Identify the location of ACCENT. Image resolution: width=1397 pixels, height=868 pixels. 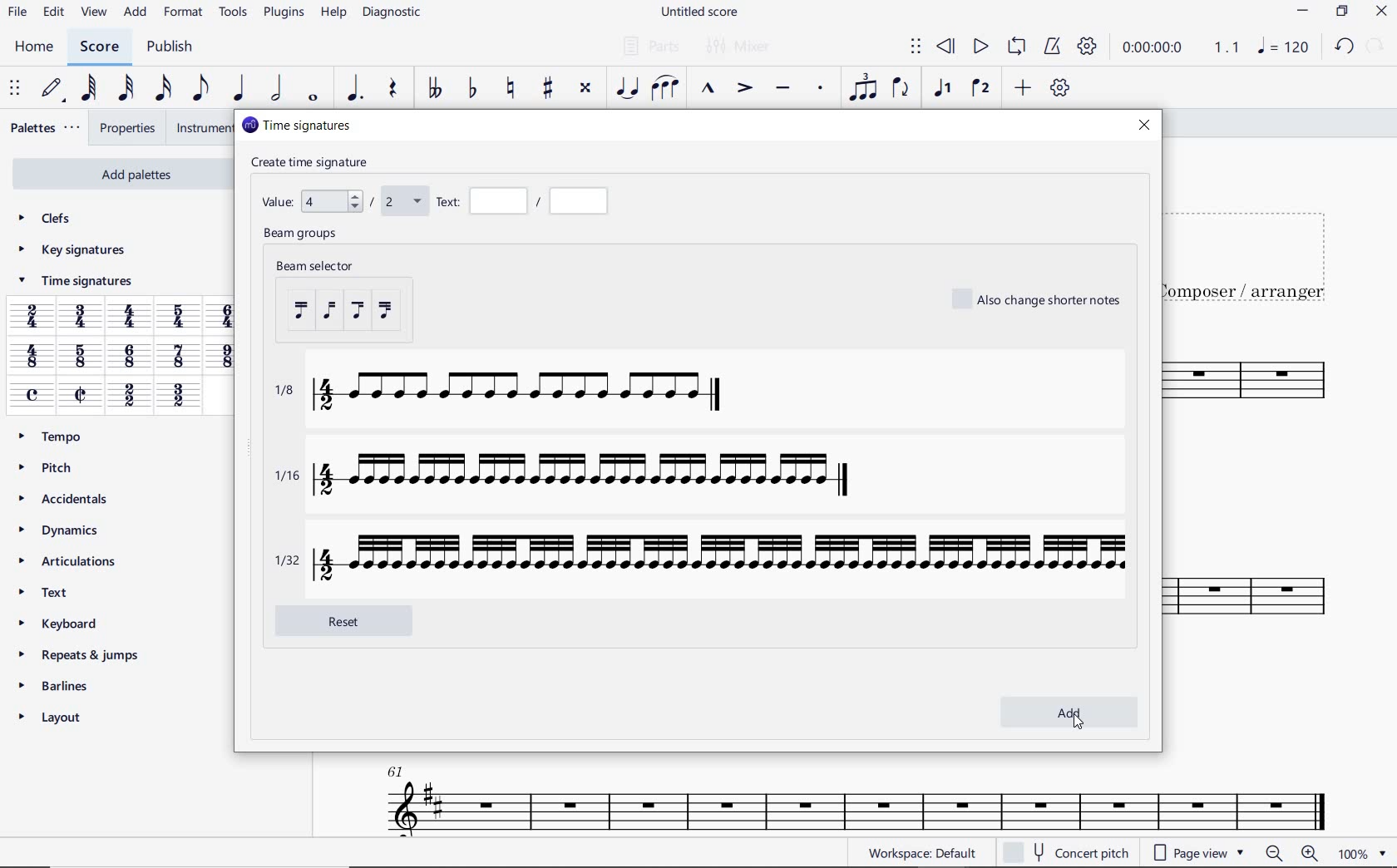
(744, 89).